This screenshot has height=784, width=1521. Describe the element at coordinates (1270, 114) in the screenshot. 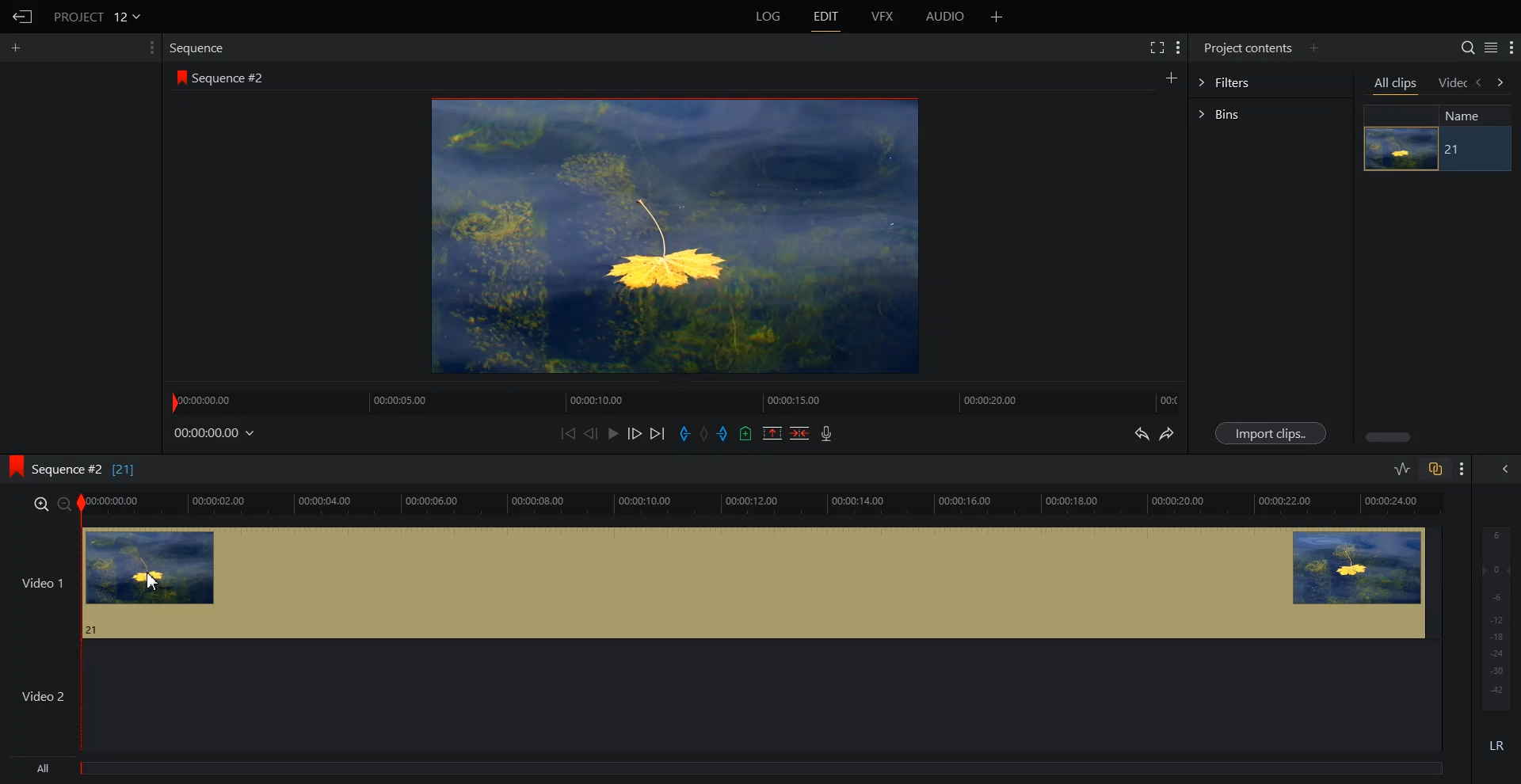

I see `Bins` at that location.